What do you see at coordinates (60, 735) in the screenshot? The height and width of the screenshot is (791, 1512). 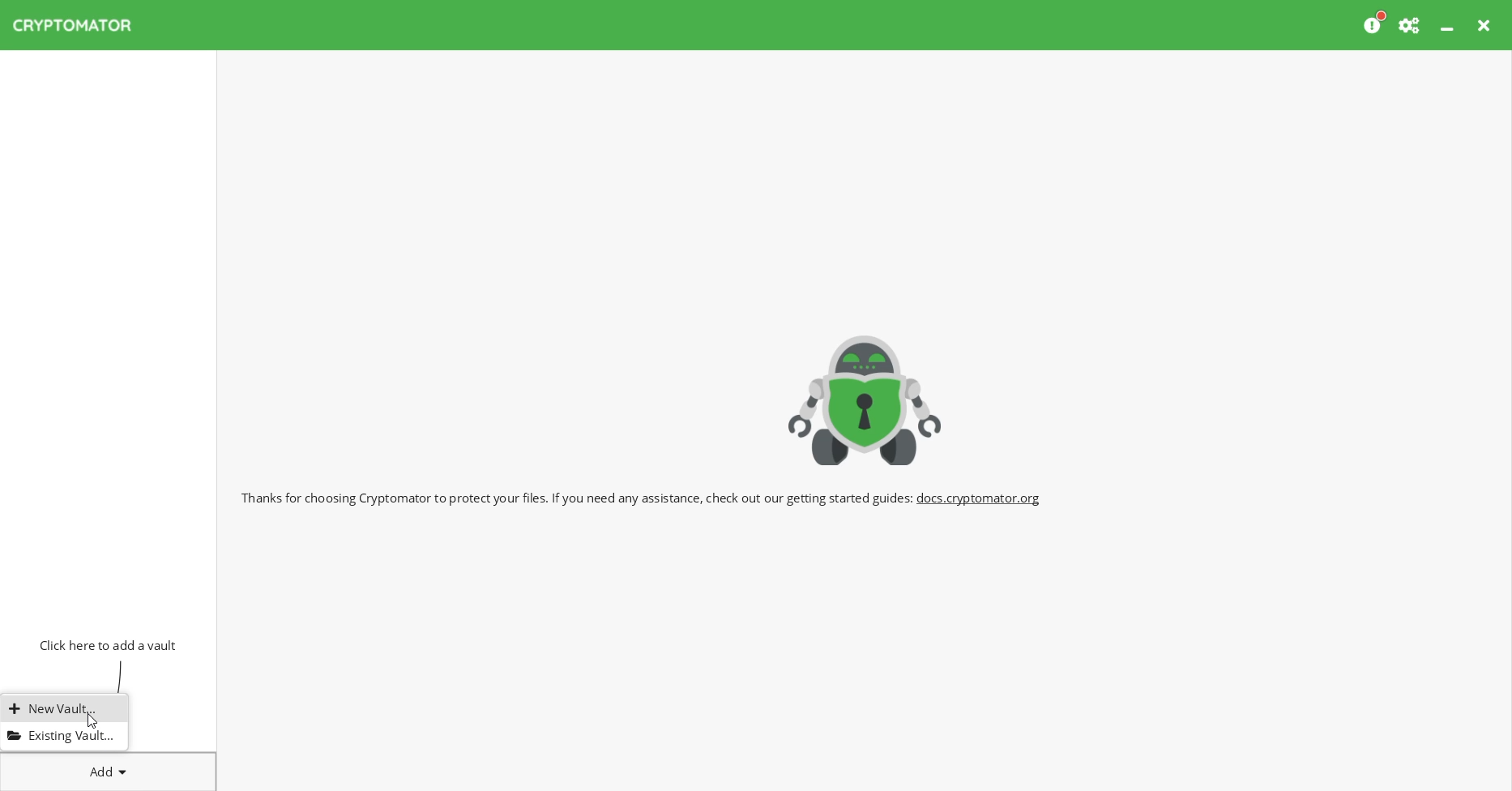 I see `Existing Vault` at bounding box center [60, 735].